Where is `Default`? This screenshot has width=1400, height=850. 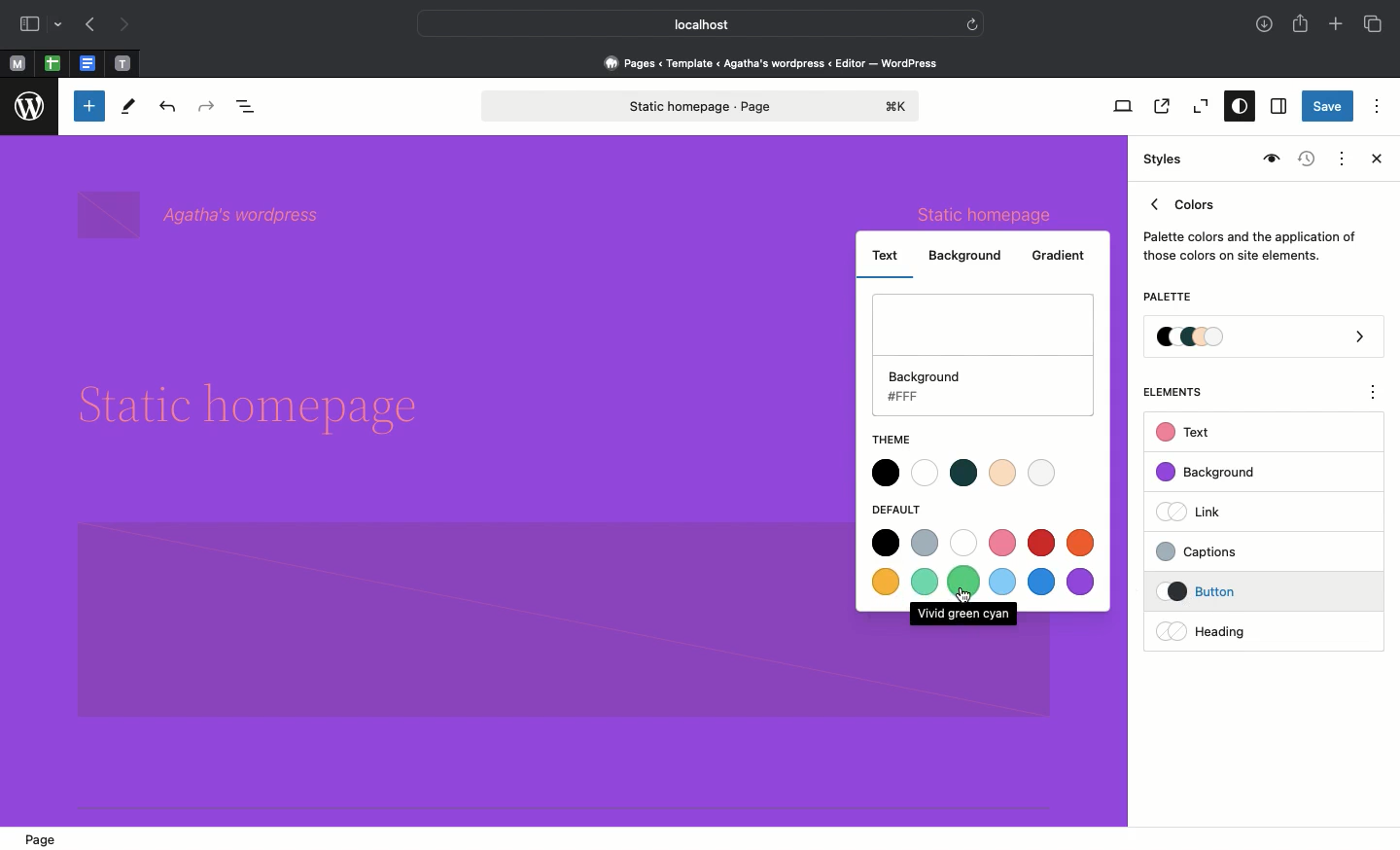 Default is located at coordinates (902, 509).